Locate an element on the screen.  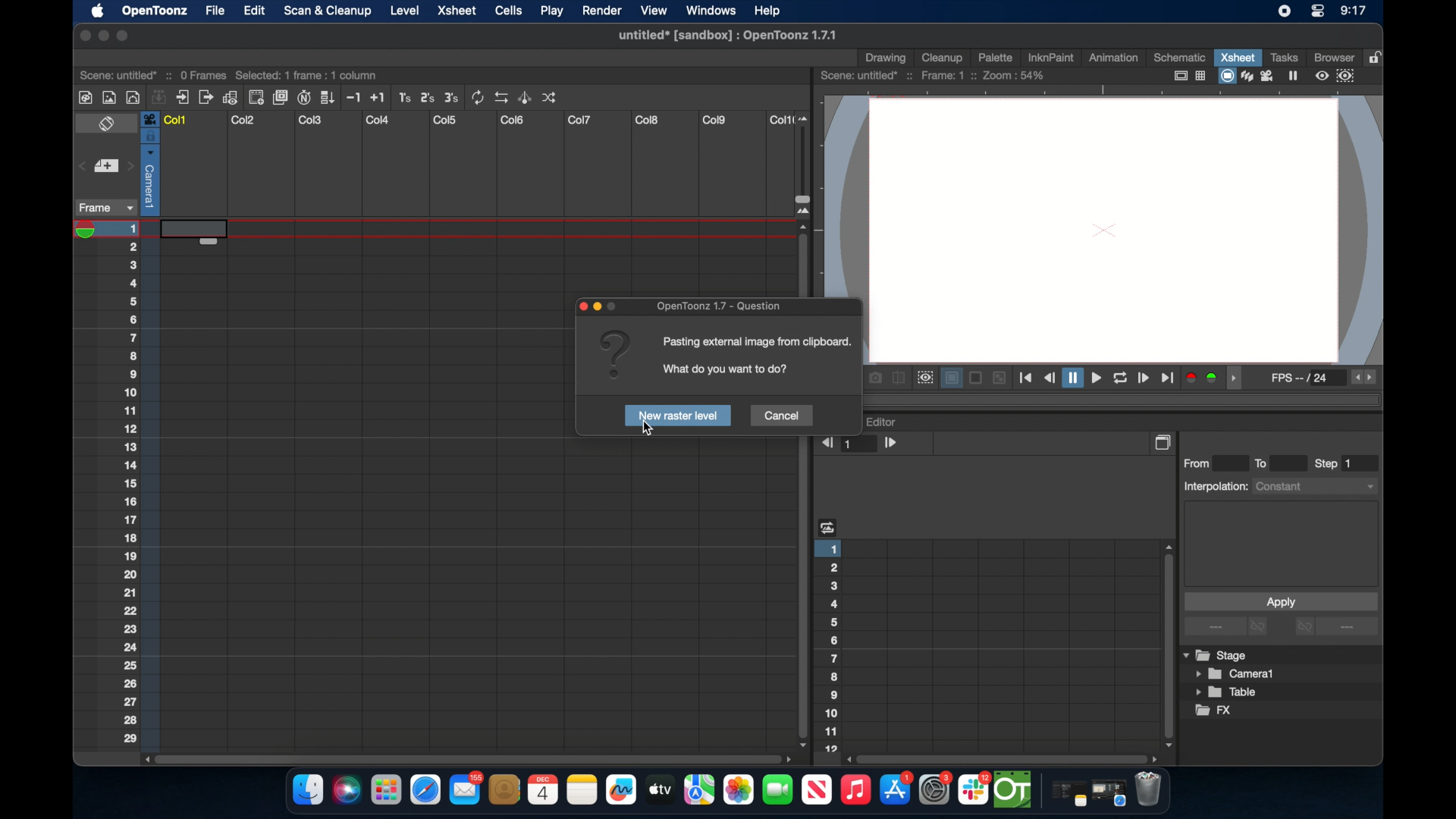
apply is located at coordinates (1280, 601).